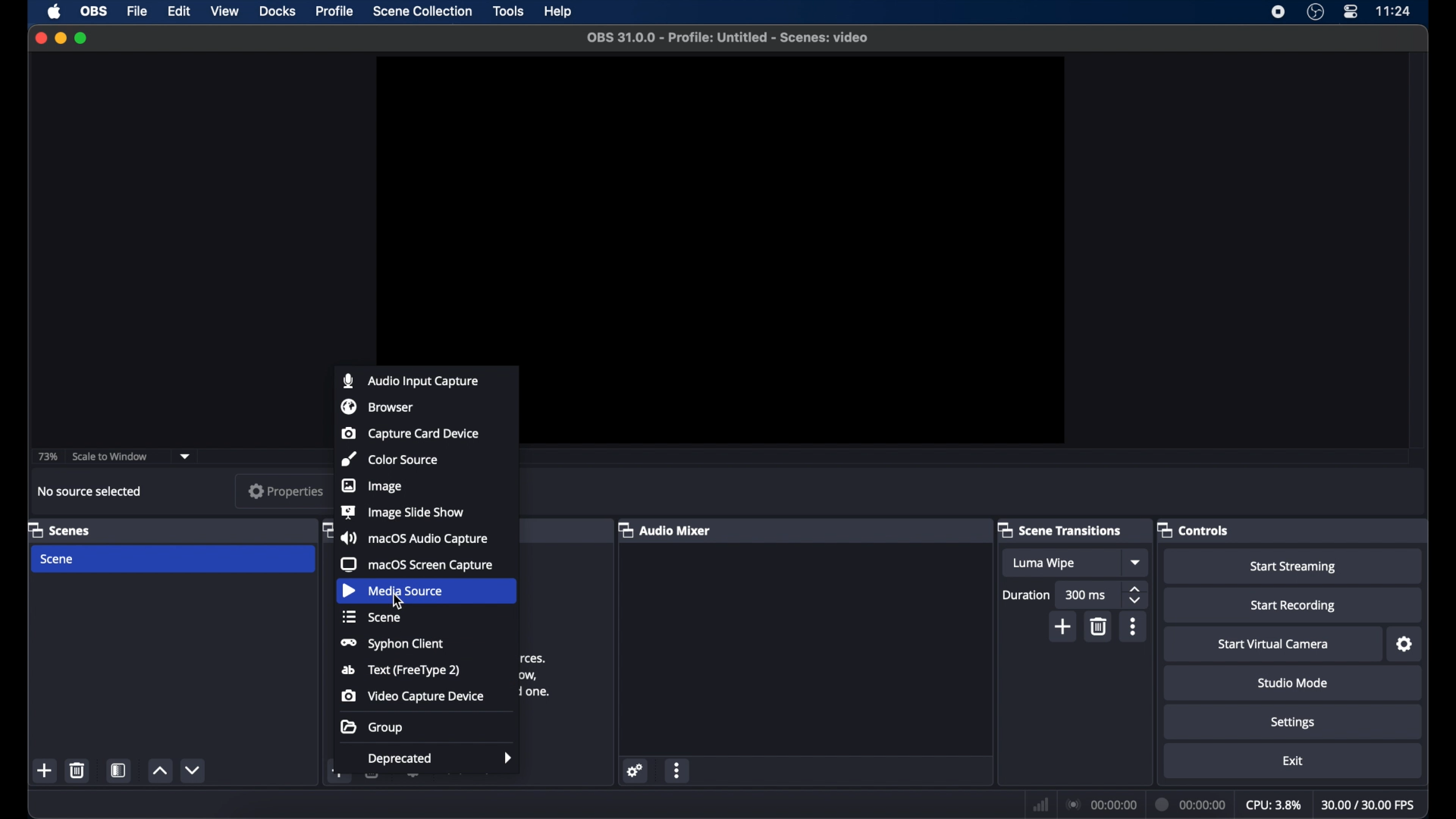 The width and height of the screenshot is (1456, 819). Describe the element at coordinates (1100, 805) in the screenshot. I see `connection` at that location.